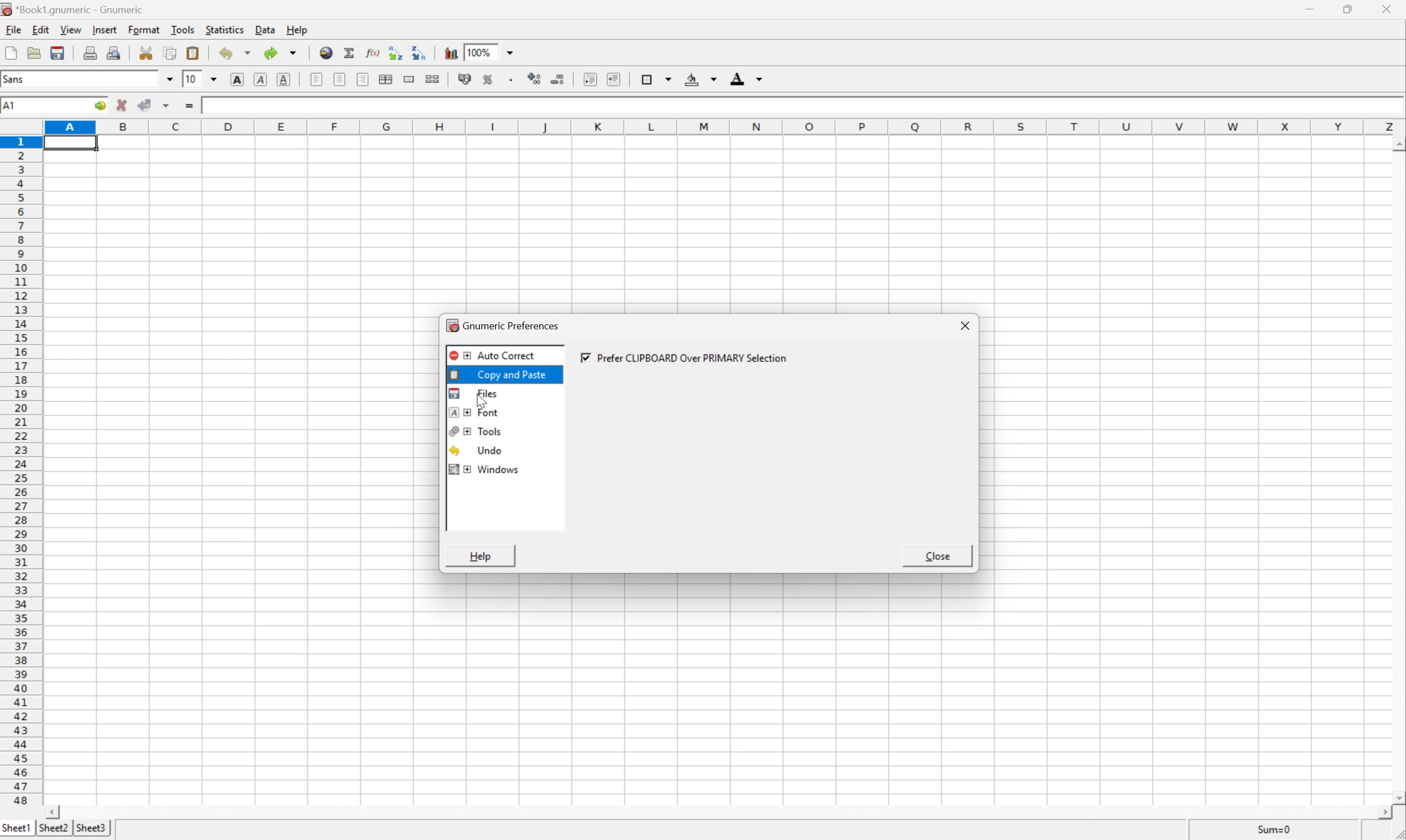 The height and width of the screenshot is (840, 1406). What do you see at coordinates (492, 357) in the screenshot?
I see `auto correct` at bounding box center [492, 357].